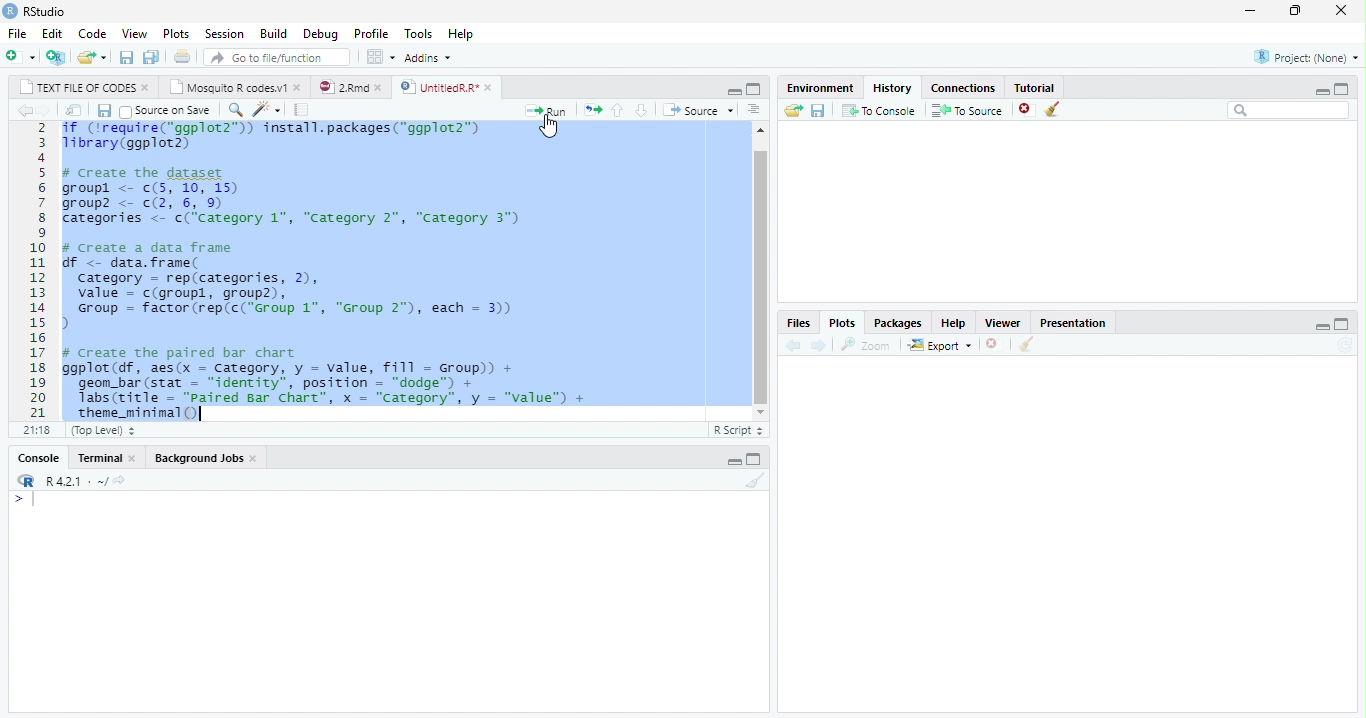 The image size is (1366, 718). Describe the element at coordinates (153, 56) in the screenshot. I see `save all document` at that location.